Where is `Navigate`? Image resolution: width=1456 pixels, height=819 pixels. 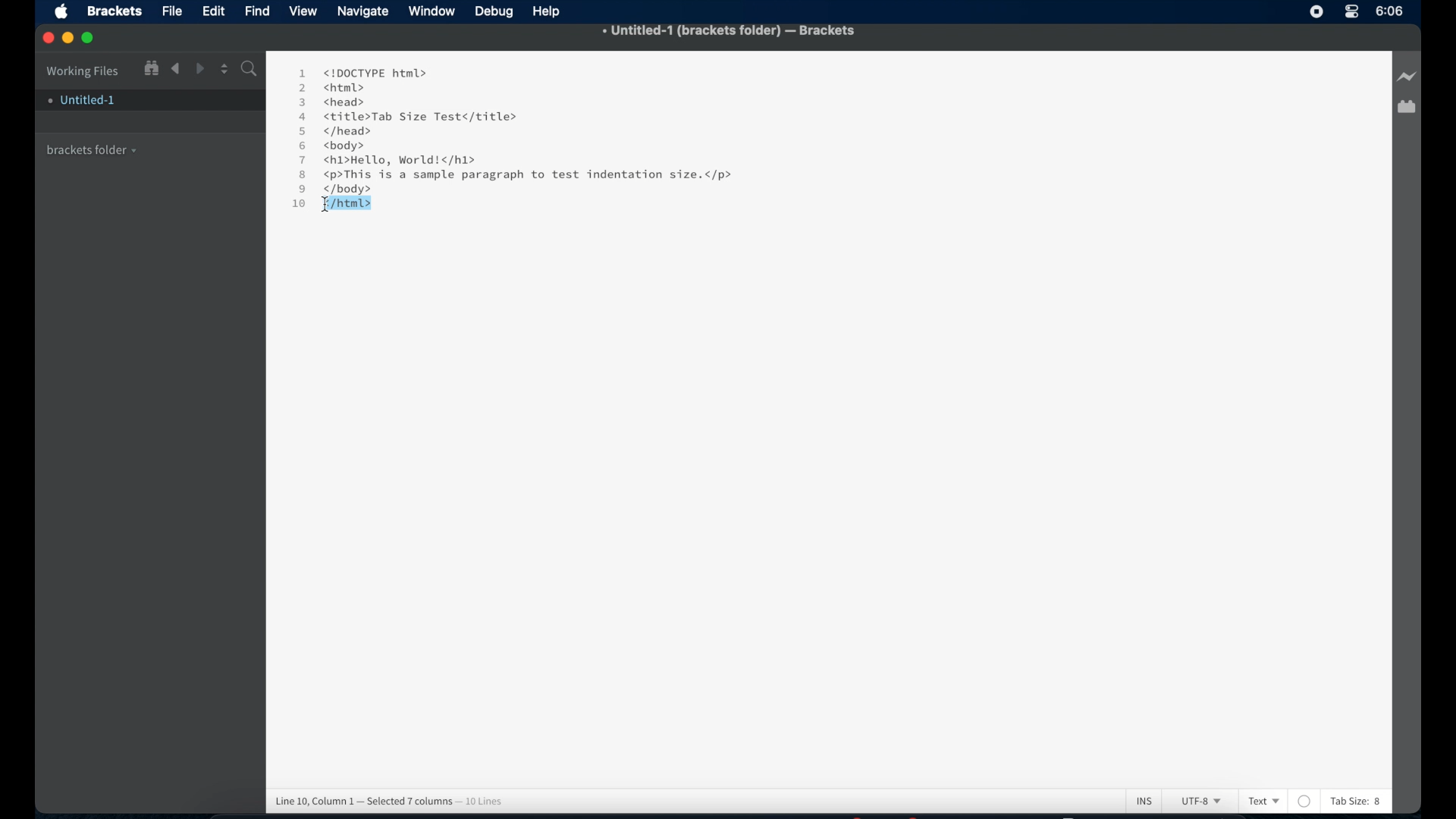
Navigate is located at coordinates (363, 13).